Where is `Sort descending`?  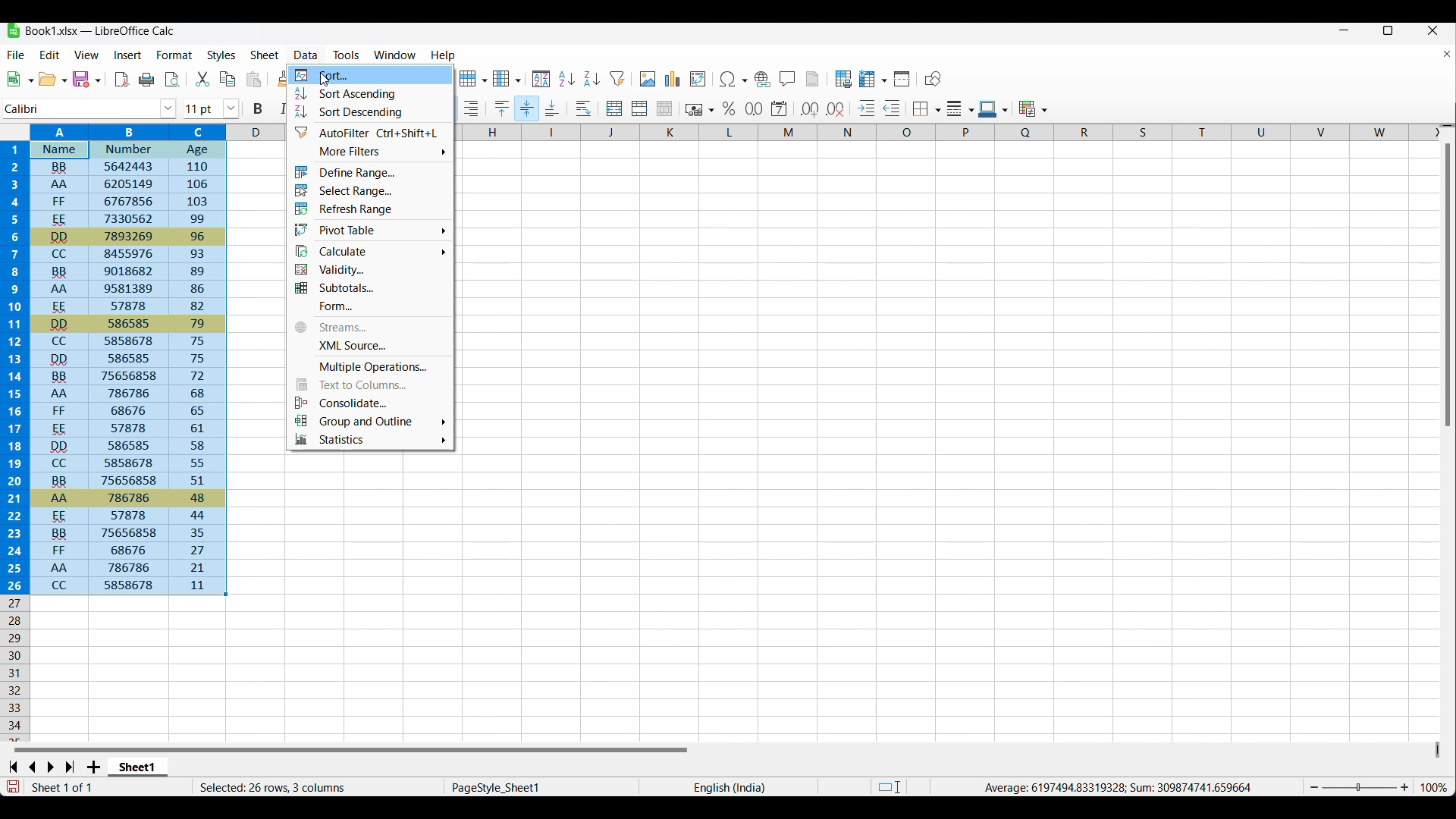
Sort descending is located at coordinates (370, 111).